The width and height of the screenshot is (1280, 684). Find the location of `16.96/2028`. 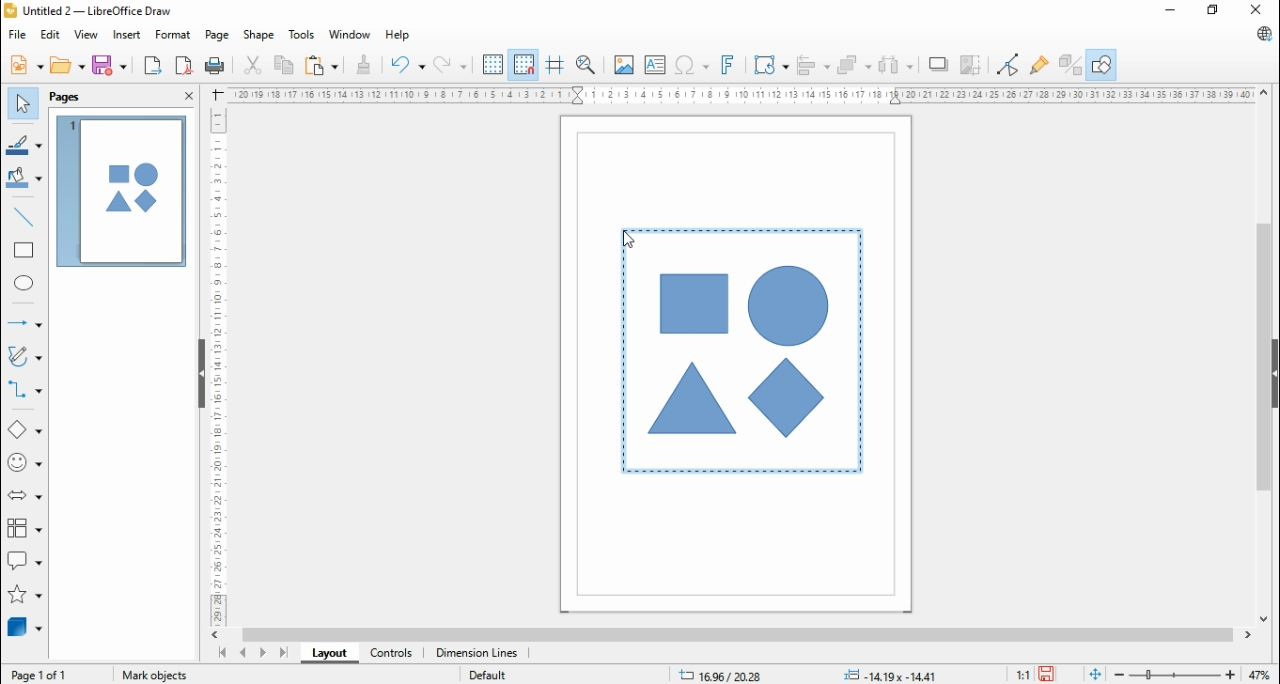

16.96/2028 is located at coordinates (717, 672).